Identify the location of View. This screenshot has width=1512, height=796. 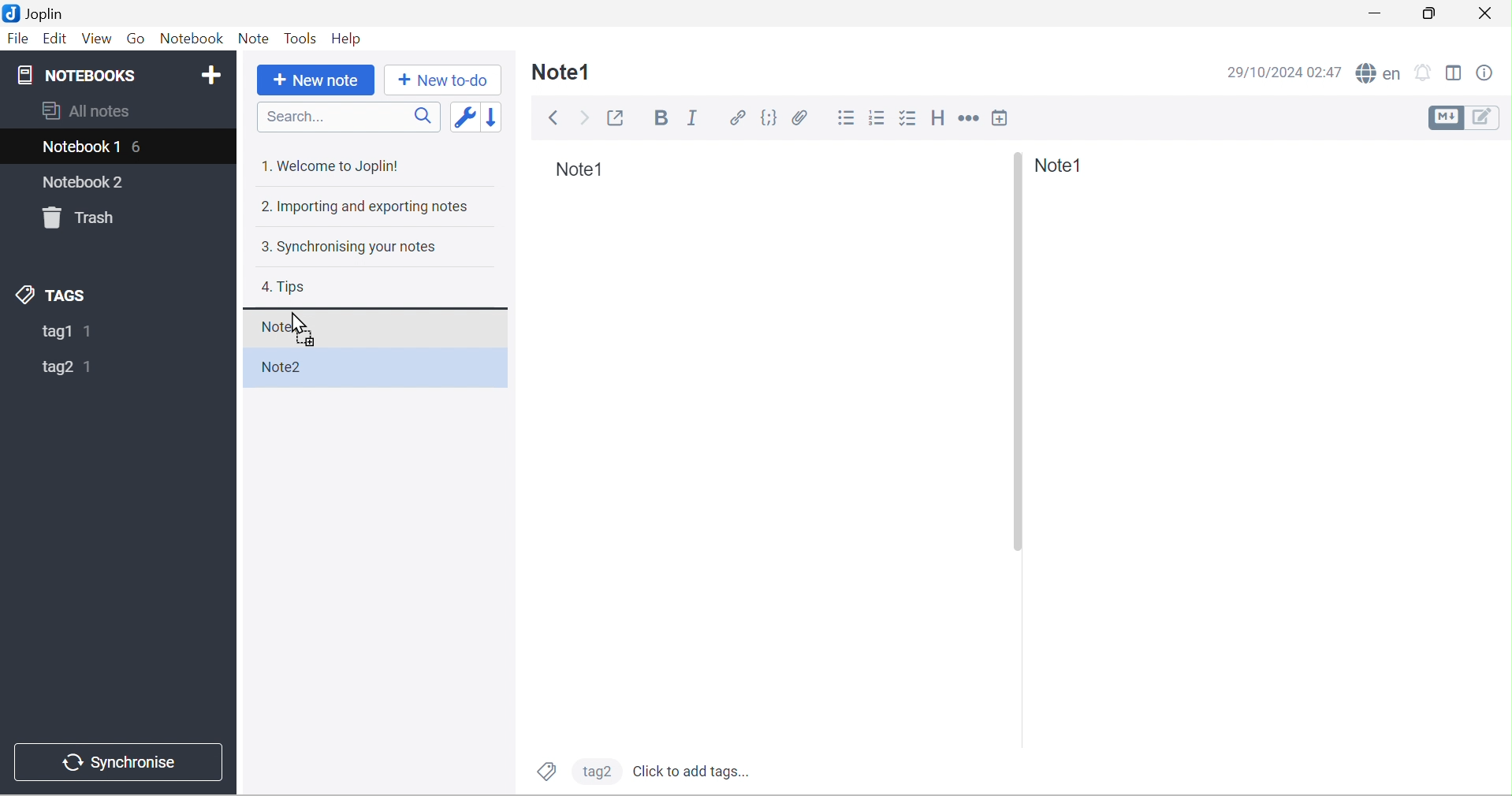
(99, 39).